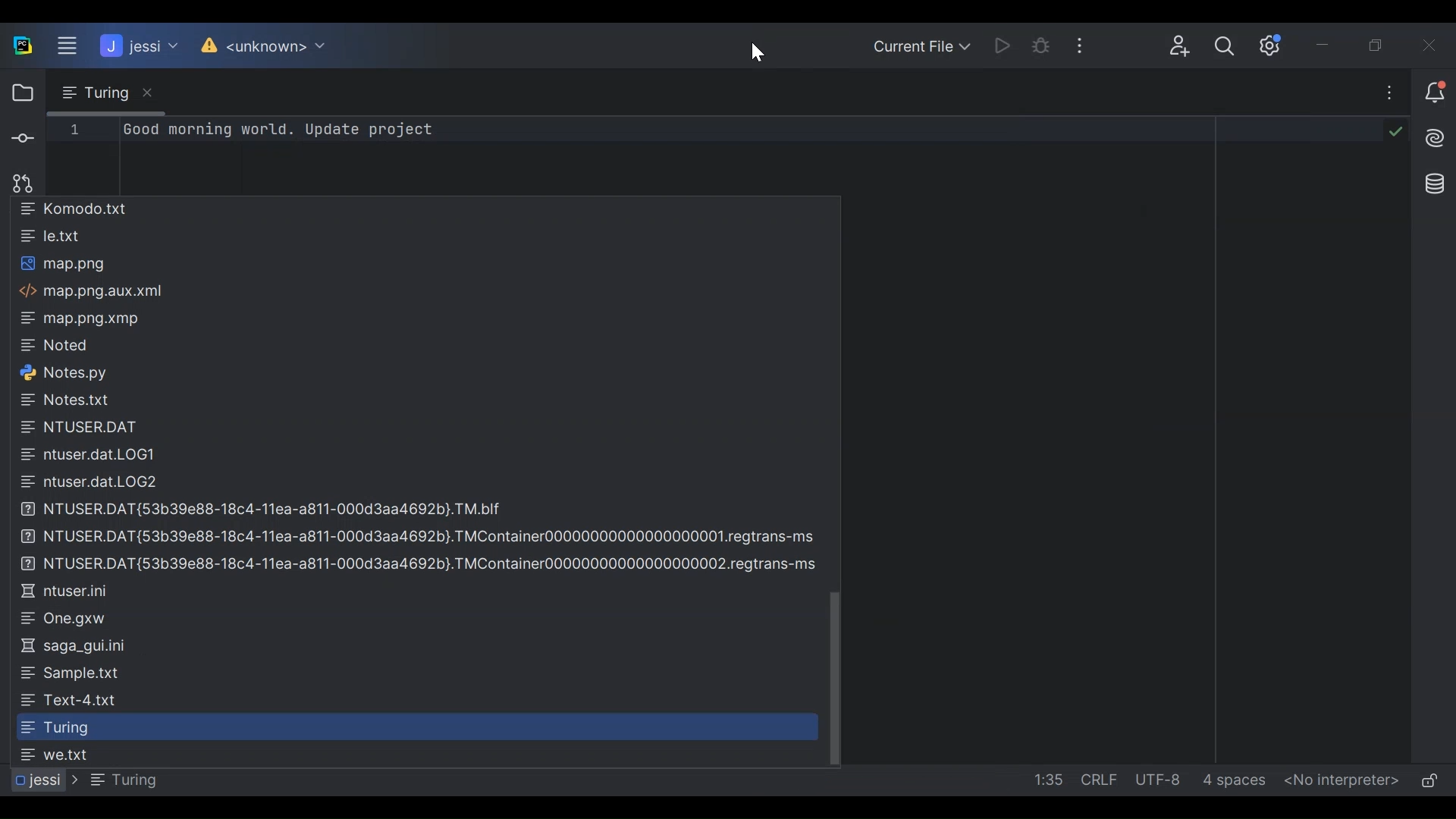 The image size is (1456, 819). What do you see at coordinates (73, 400) in the screenshot?
I see `Notes.txt` at bounding box center [73, 400].